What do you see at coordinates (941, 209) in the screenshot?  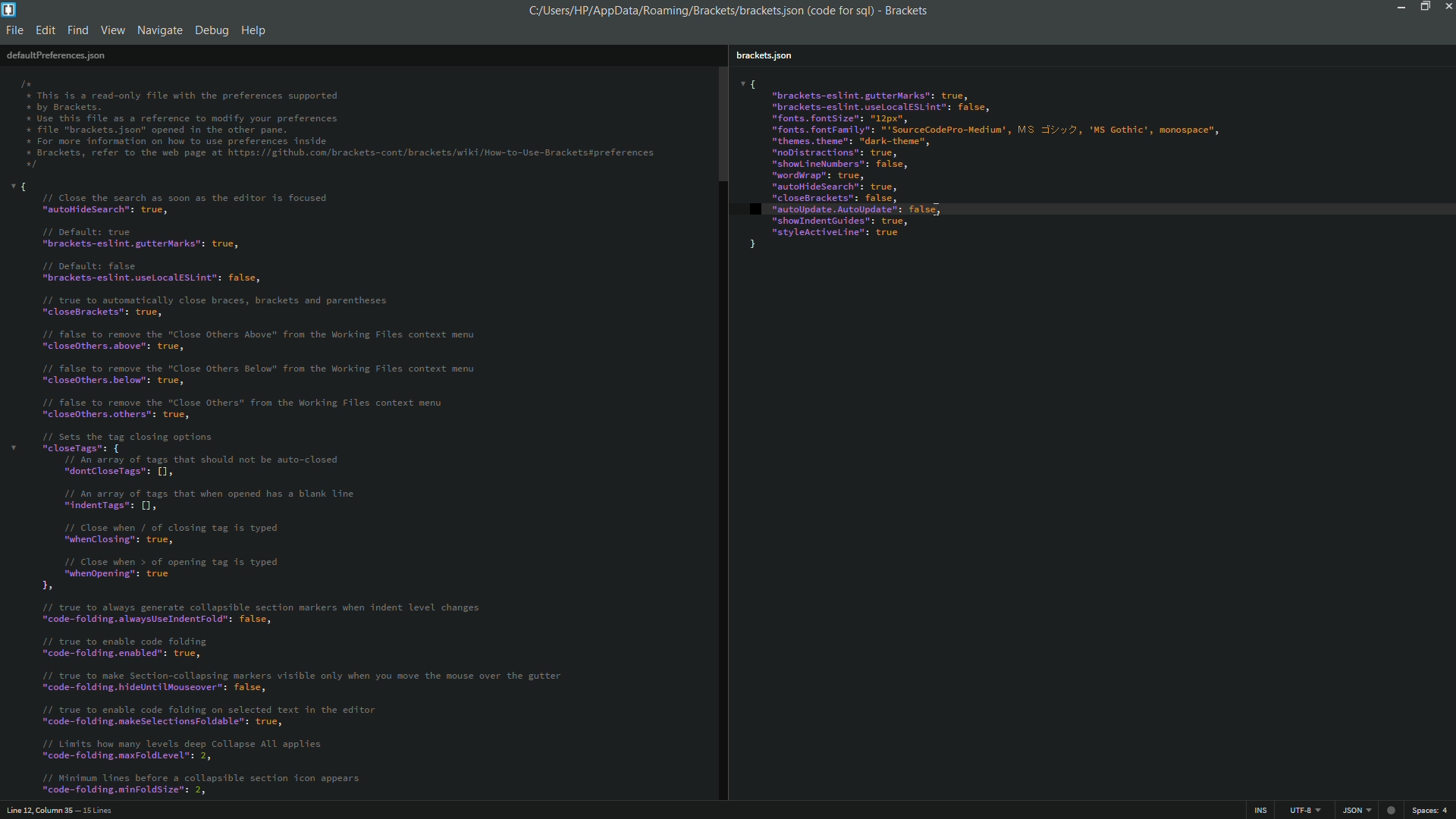 I see `cursor` at bounding box center [941, 209].